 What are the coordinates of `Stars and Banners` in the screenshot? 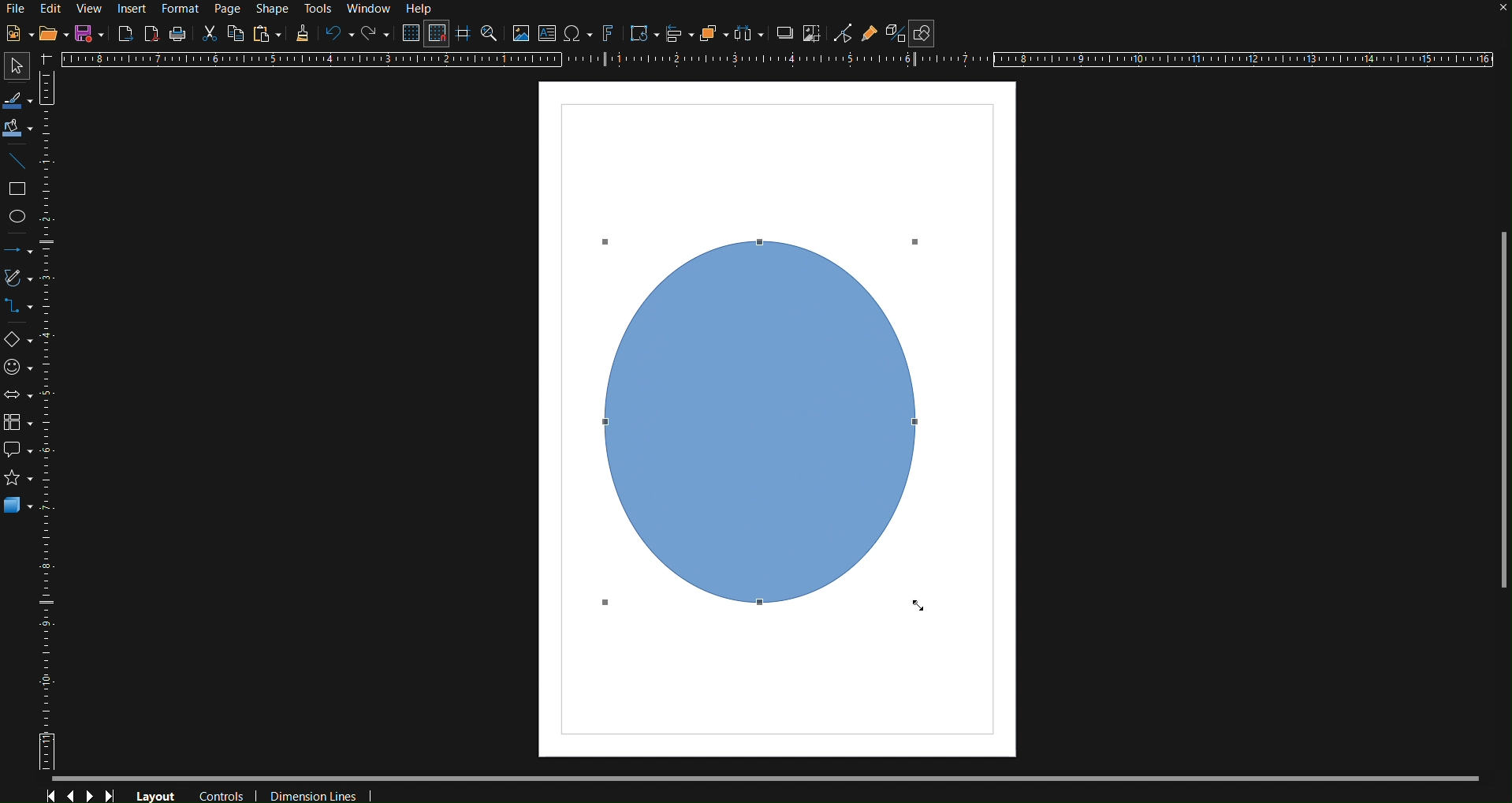 It's located at (16, 480).